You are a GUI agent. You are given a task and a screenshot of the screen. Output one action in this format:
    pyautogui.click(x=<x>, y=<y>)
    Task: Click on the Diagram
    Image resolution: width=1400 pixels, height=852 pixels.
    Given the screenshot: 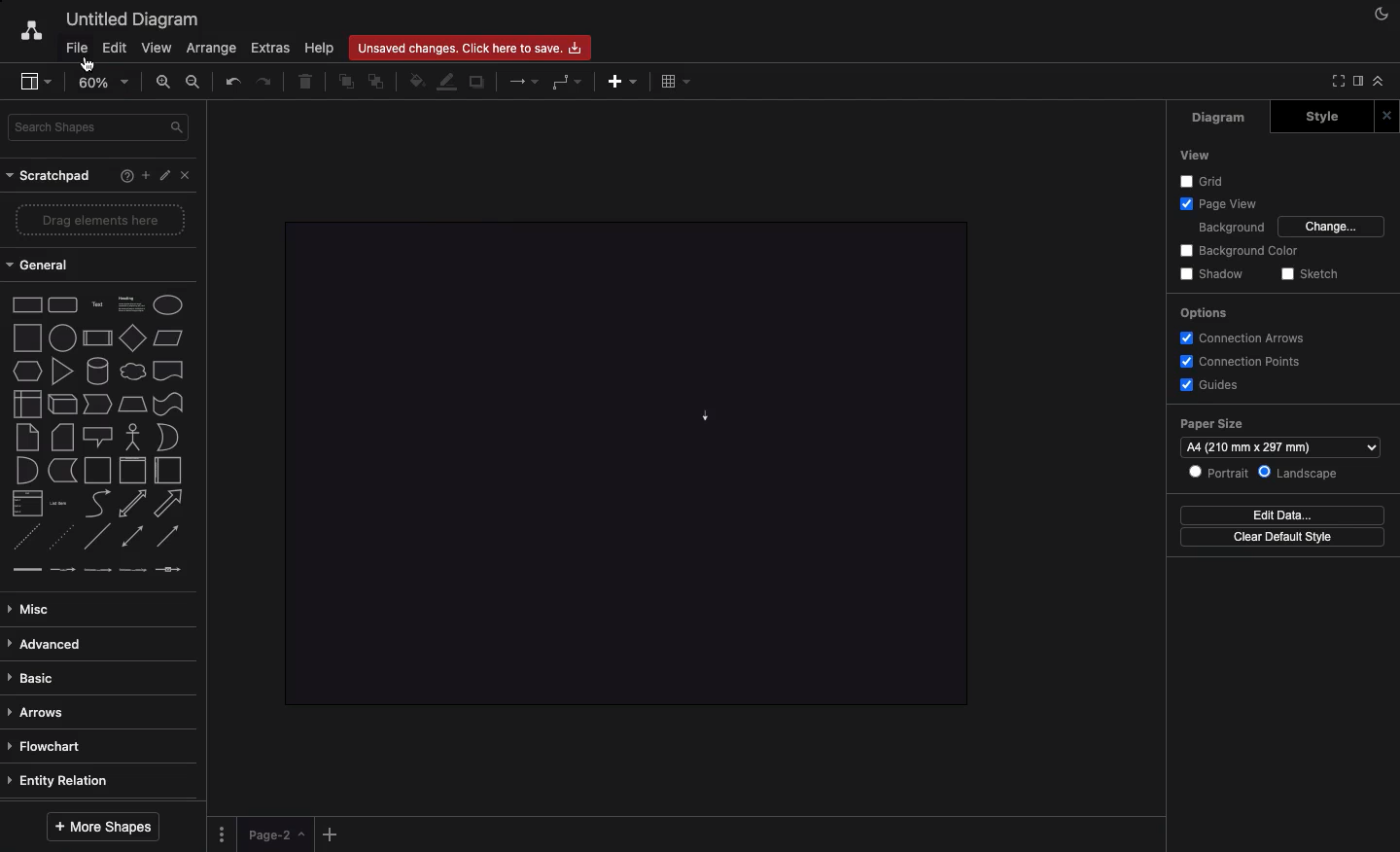 What is the action you would take?
    pyautogui.click(x=1220, y=118)
    